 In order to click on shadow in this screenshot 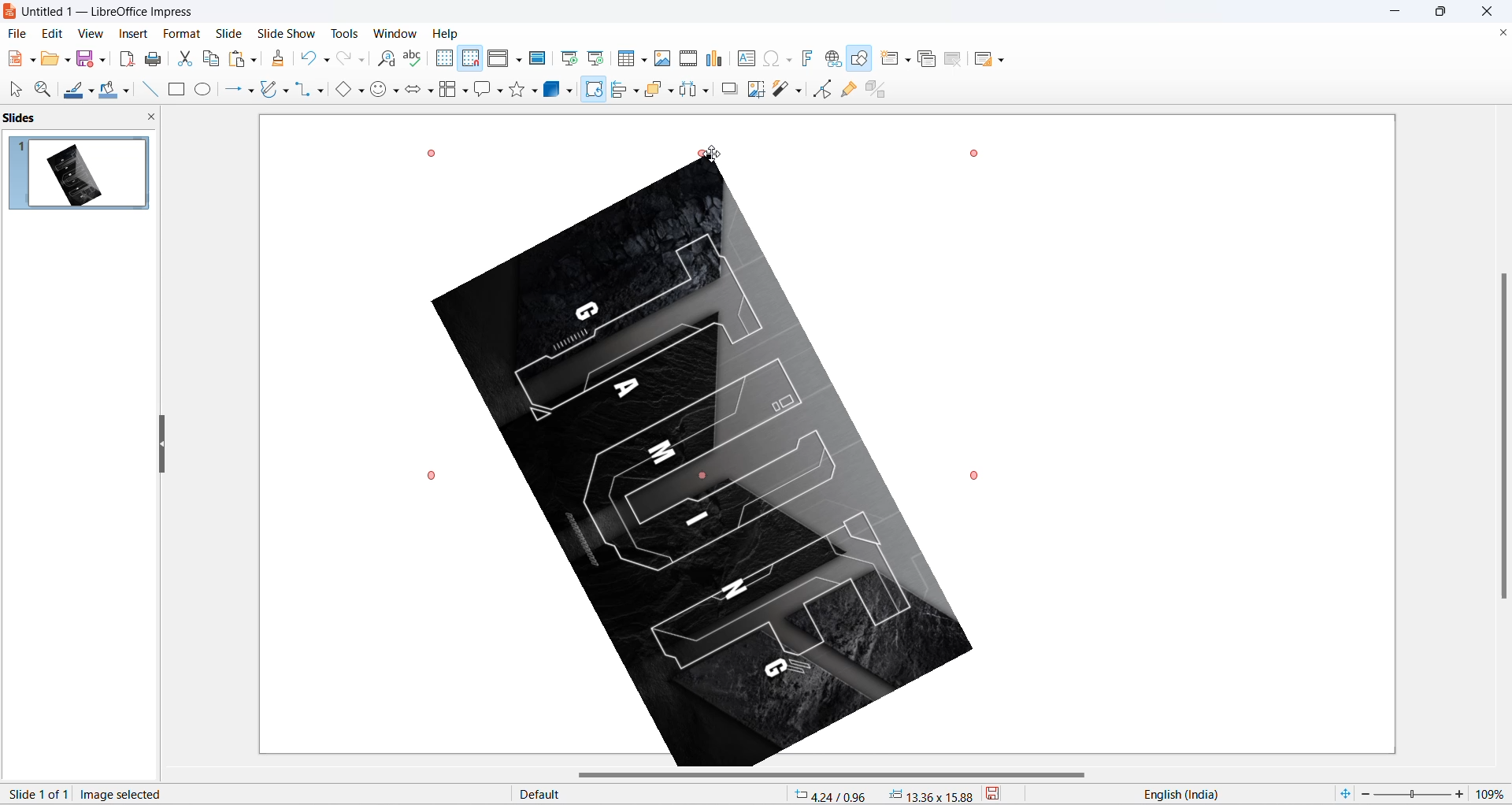, I will do `click(730, 88)`.